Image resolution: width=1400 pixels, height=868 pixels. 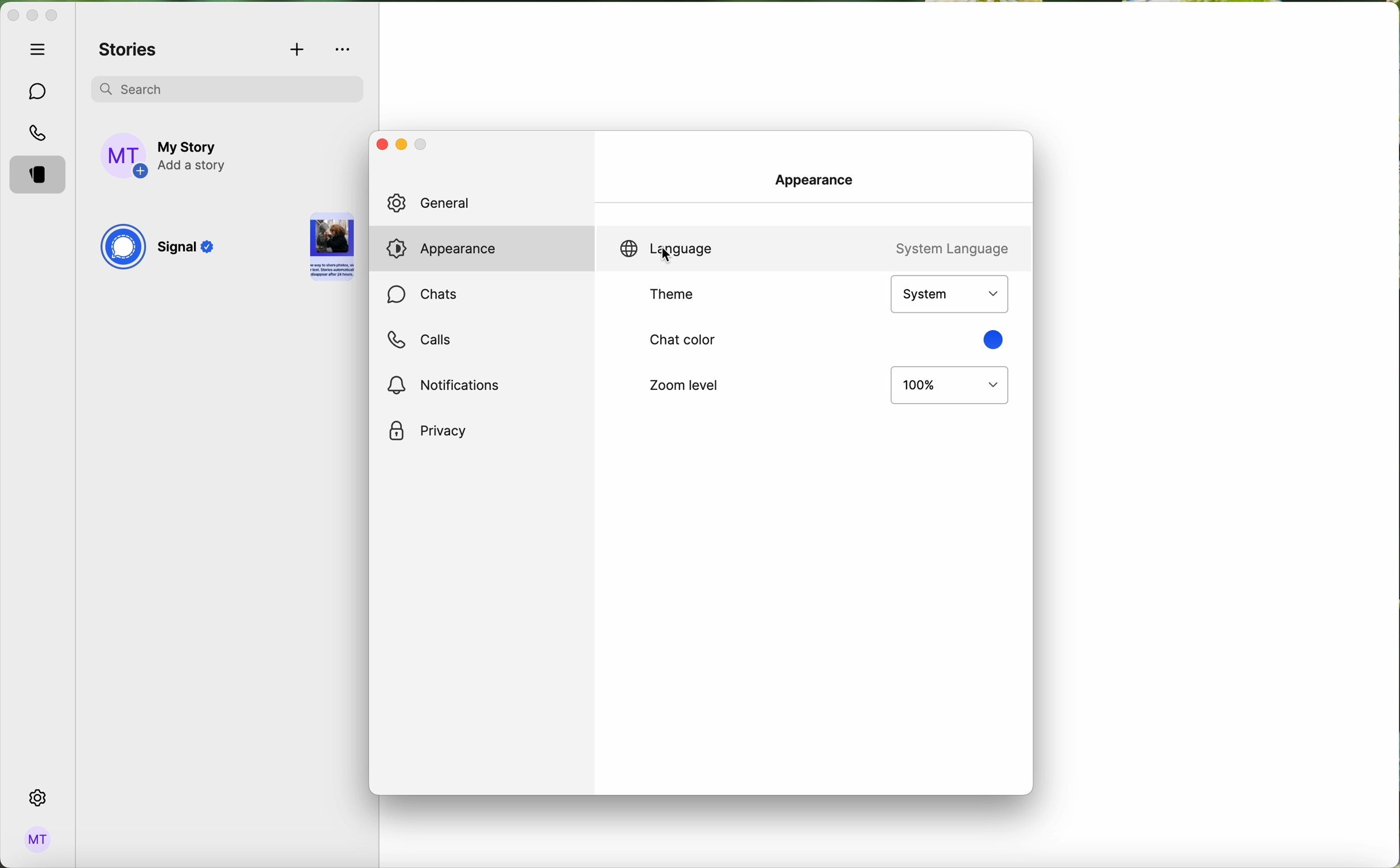 I want to click on stories, so click(x=129, y=51).